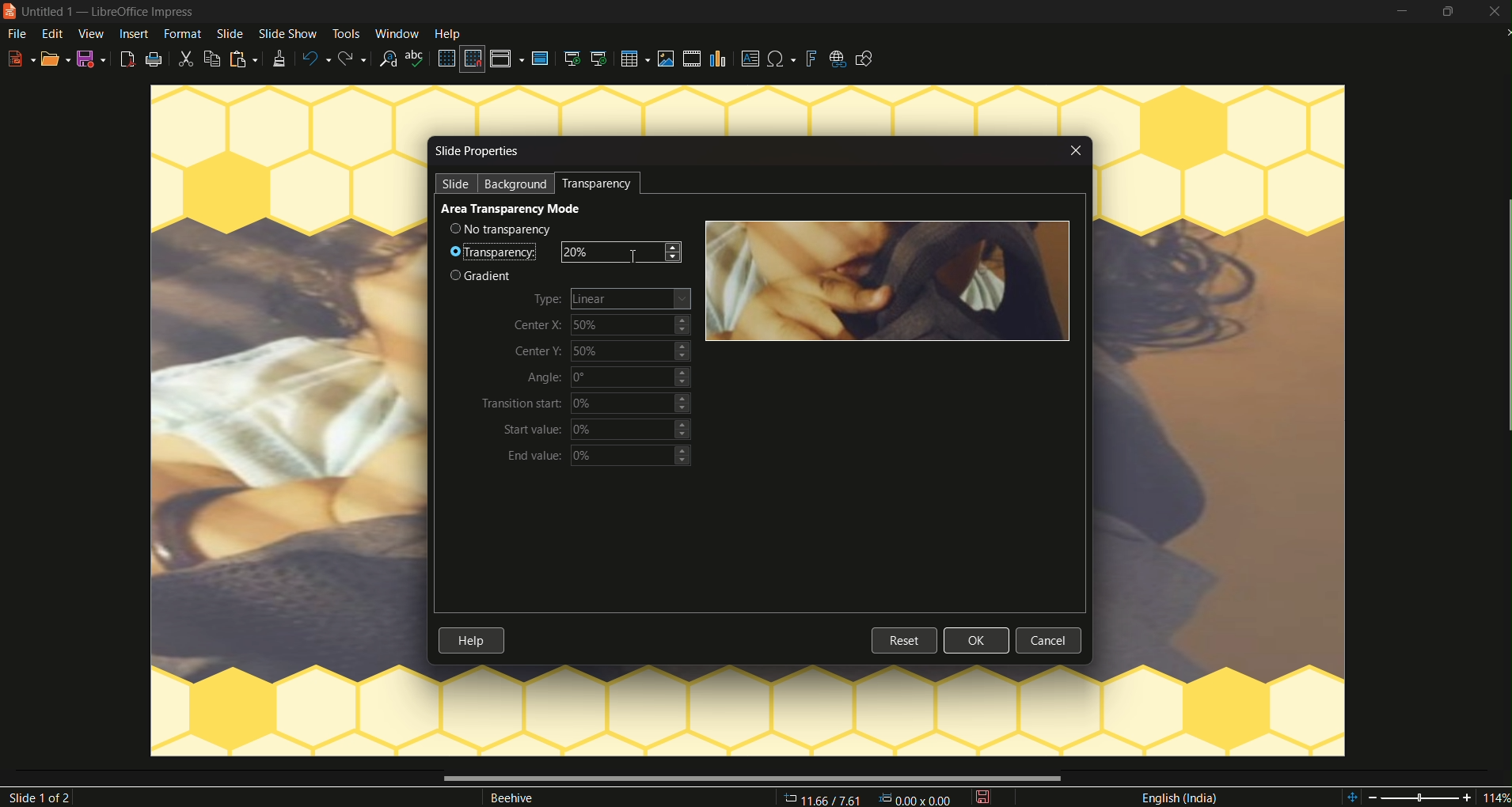 The height and width of the screenshot is (807, 1512). Describe the element at coordinates (505, 229) in the screenshot. I see `no transparency` at that location.